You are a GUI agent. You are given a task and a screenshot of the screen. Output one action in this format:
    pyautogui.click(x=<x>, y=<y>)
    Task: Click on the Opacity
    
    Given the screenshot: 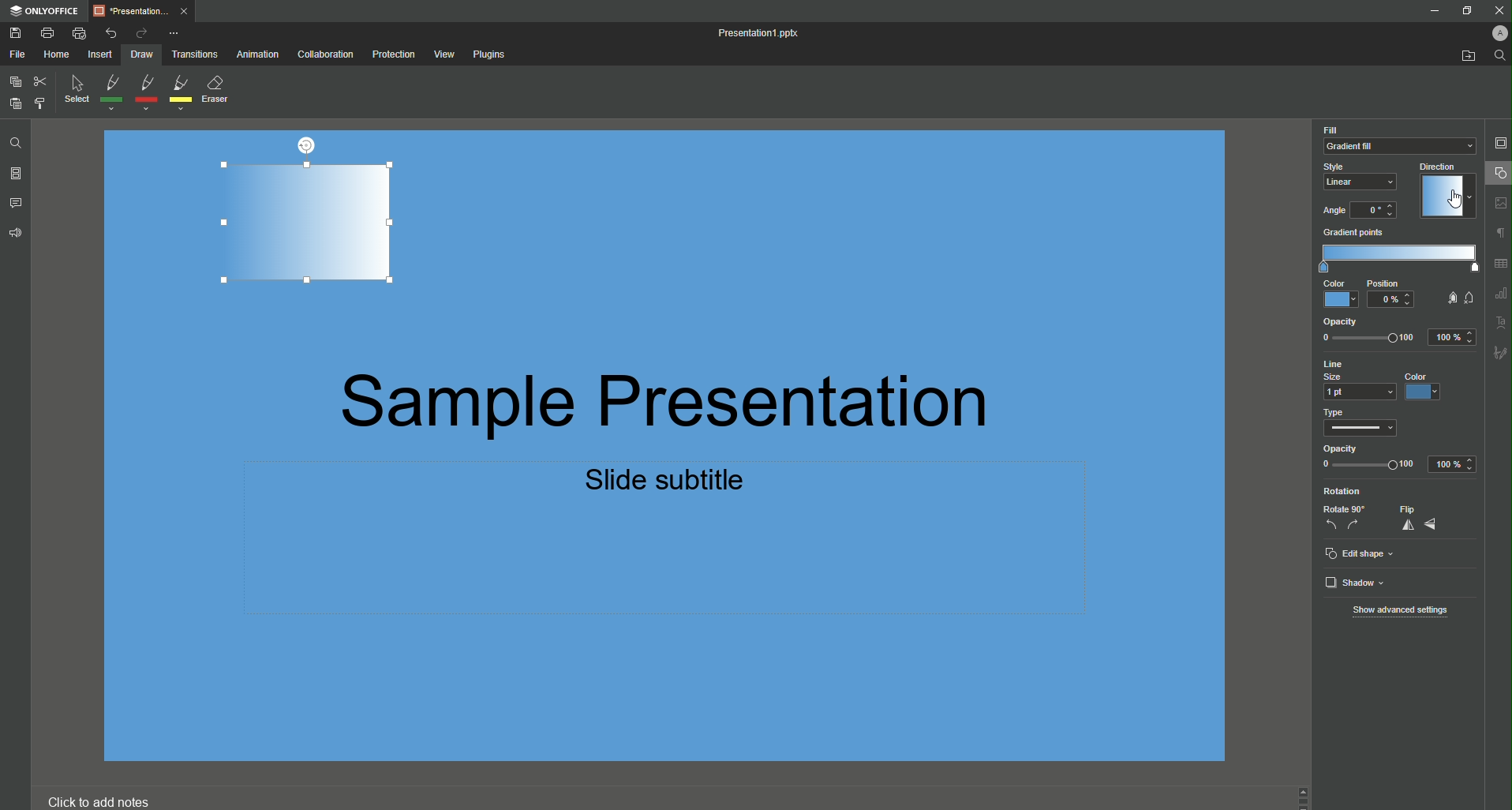 What is the action you would take?
    pyautogui.click(x=1369, y=455)
    